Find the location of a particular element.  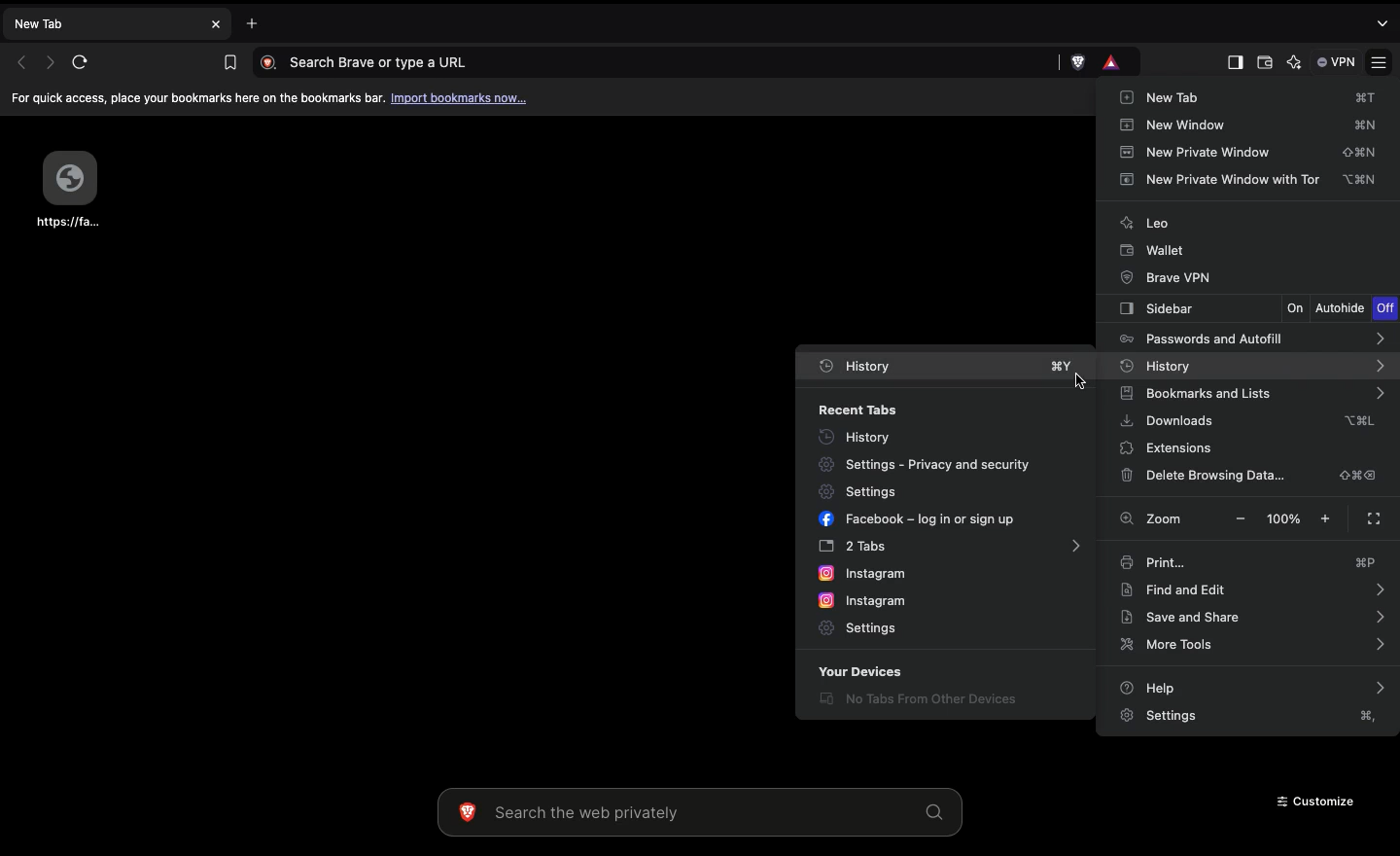

New private window is located at coordinates (1245, 154).